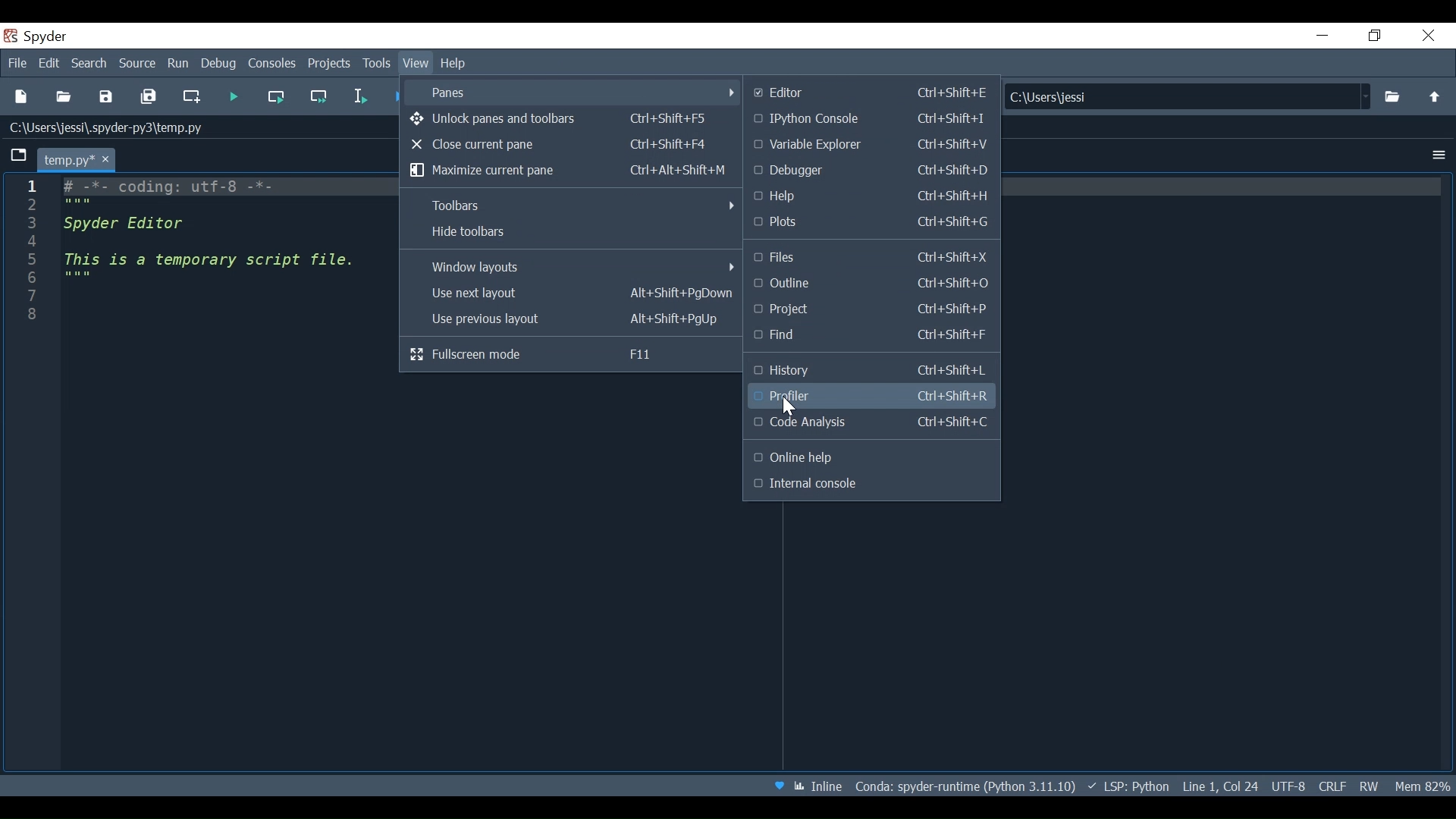  I want to click on File Permission, so click(1367, 785).